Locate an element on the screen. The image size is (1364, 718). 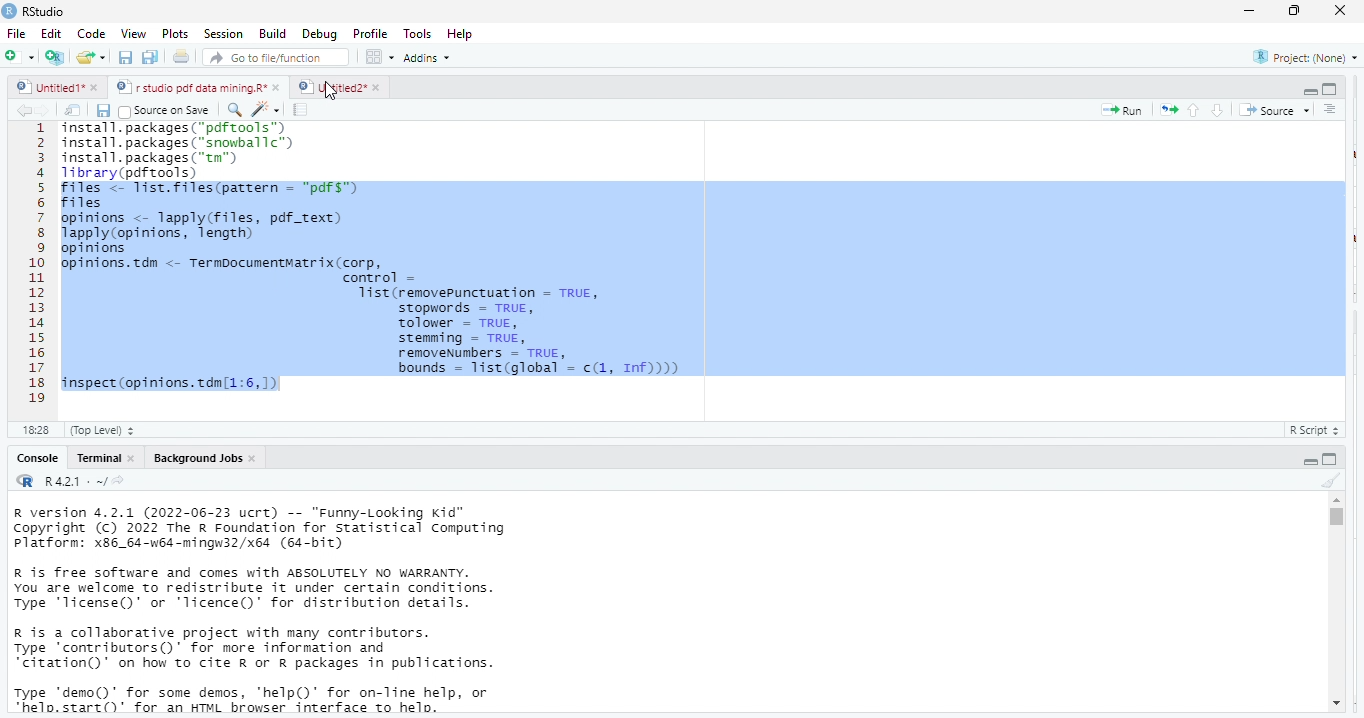
source on save is located at coordinates (168, 110).